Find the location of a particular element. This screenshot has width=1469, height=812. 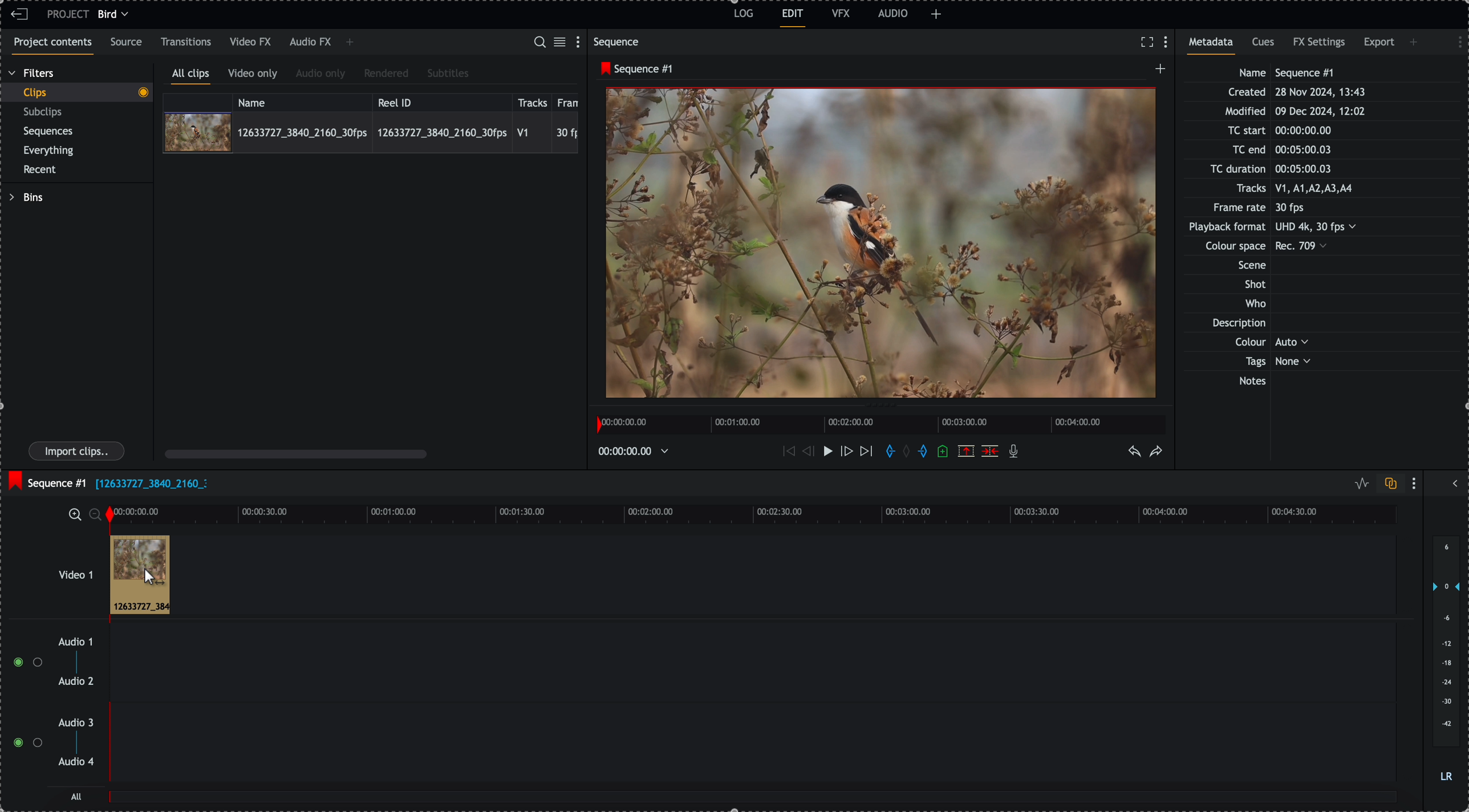

play is located at coordinates (824, 452).